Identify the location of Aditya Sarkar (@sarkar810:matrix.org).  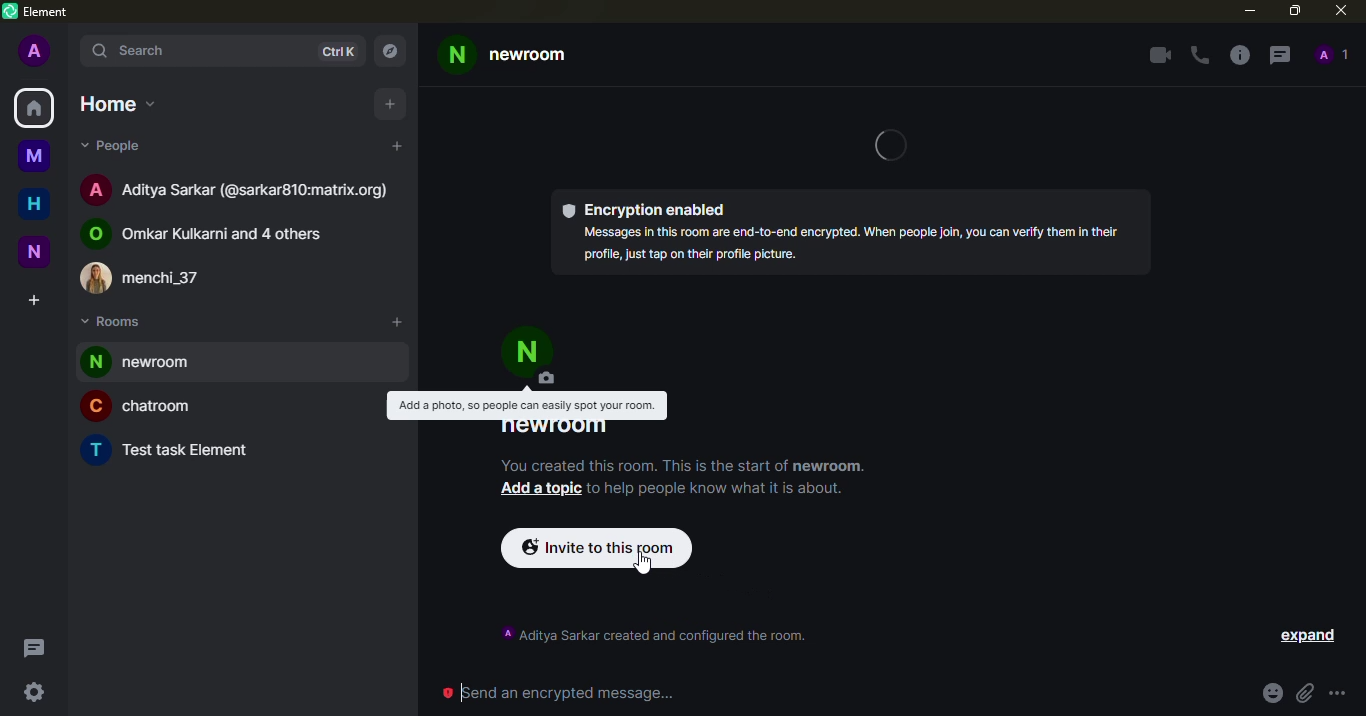
(232, 193).